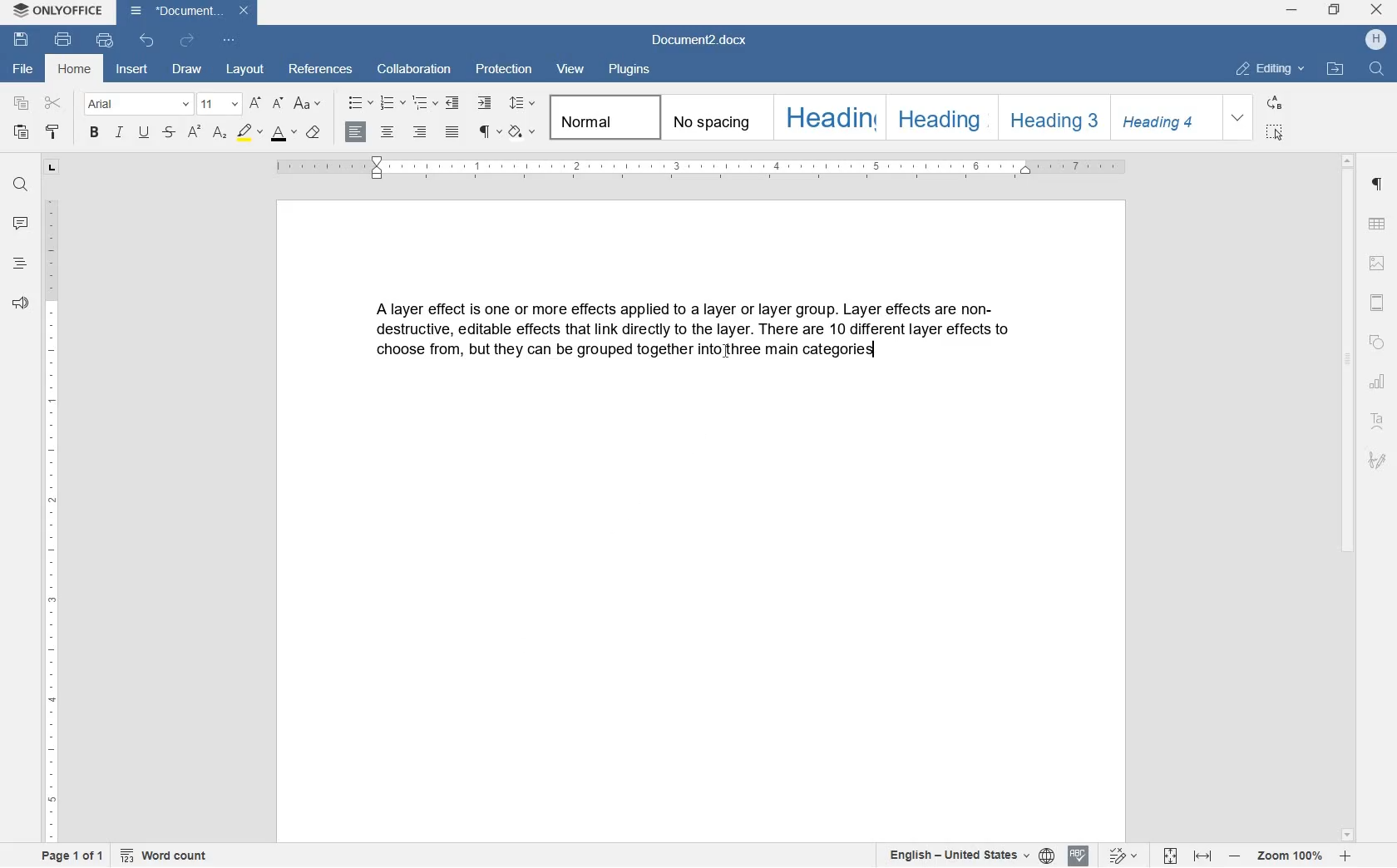 The image size is (1397, 868). I want to click on word count, so click(165, 856).